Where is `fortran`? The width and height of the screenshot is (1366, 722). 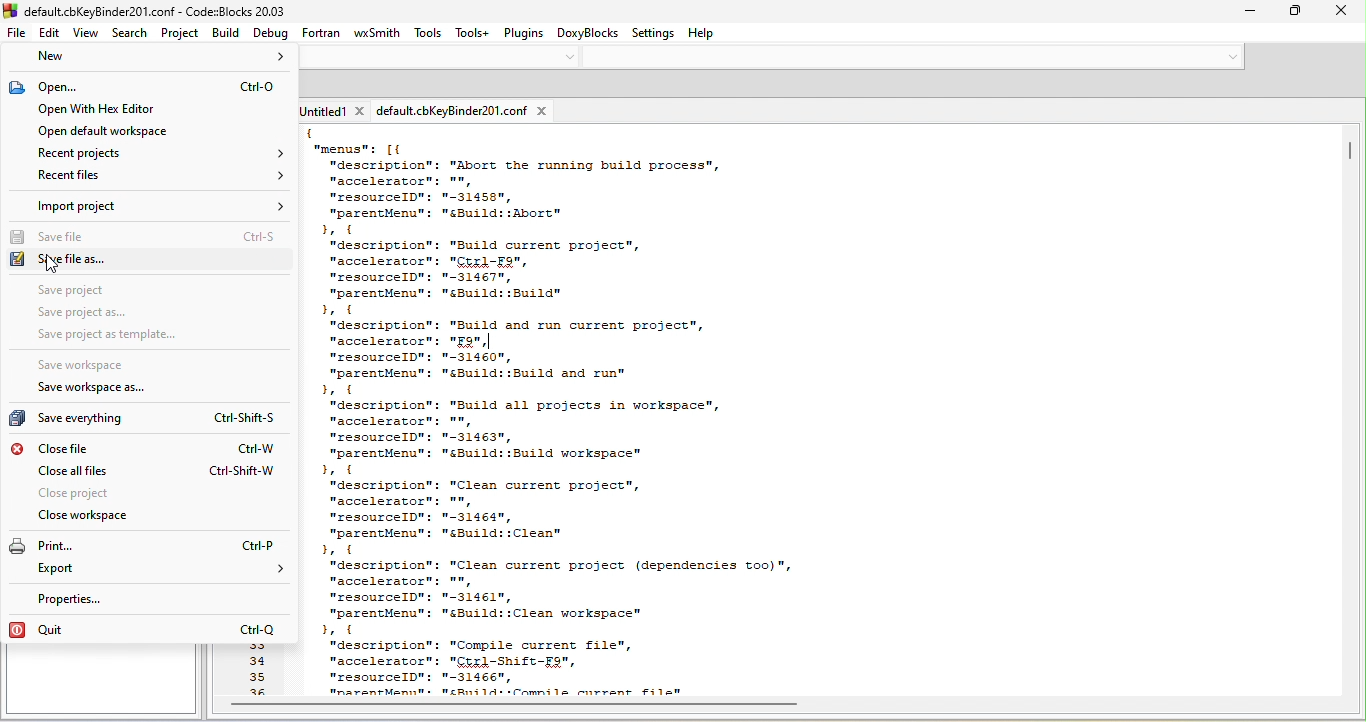 fortran is located at coordinates (322, 34).